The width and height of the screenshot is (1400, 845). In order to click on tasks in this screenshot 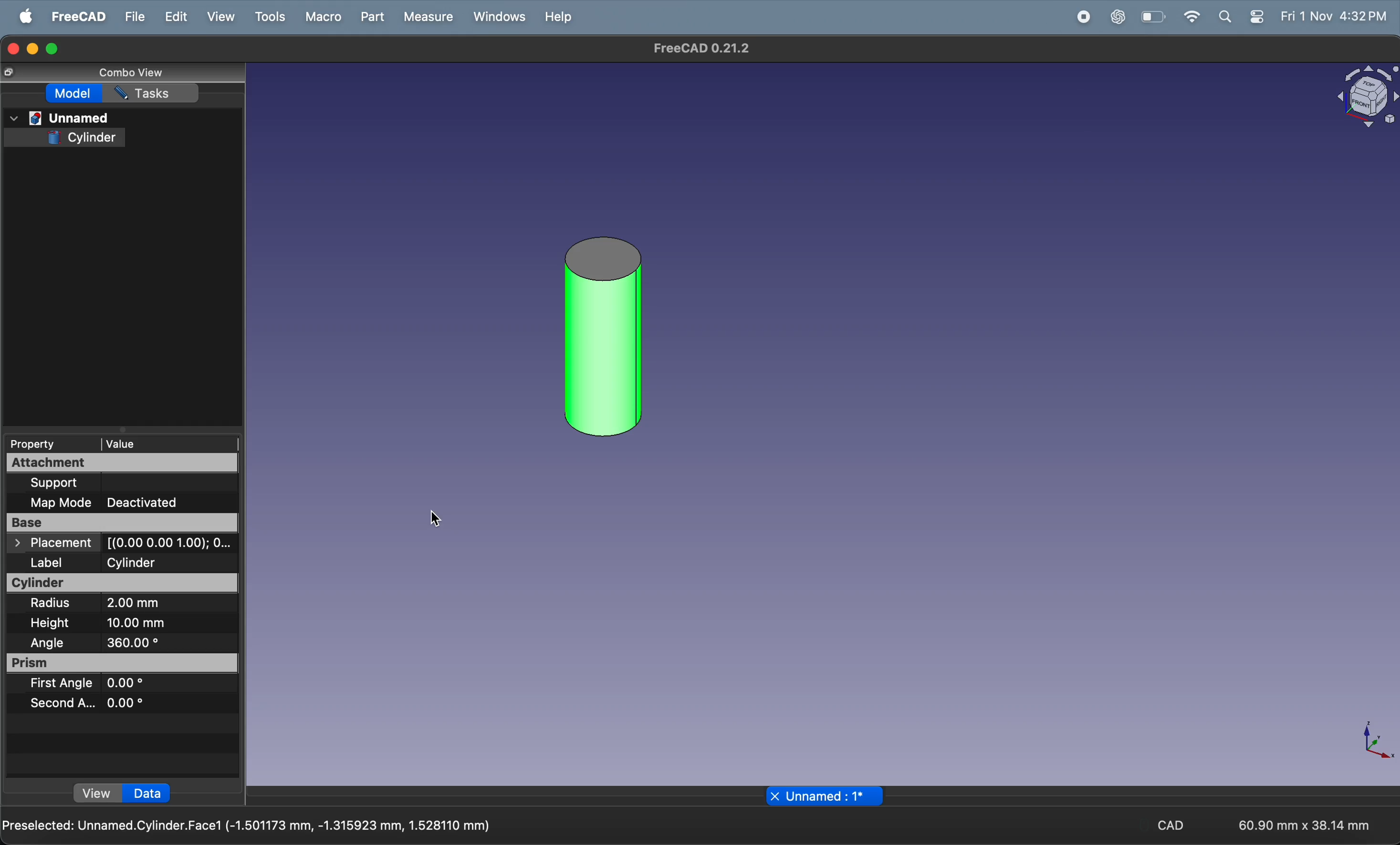, I will do `click(153, 93)`.